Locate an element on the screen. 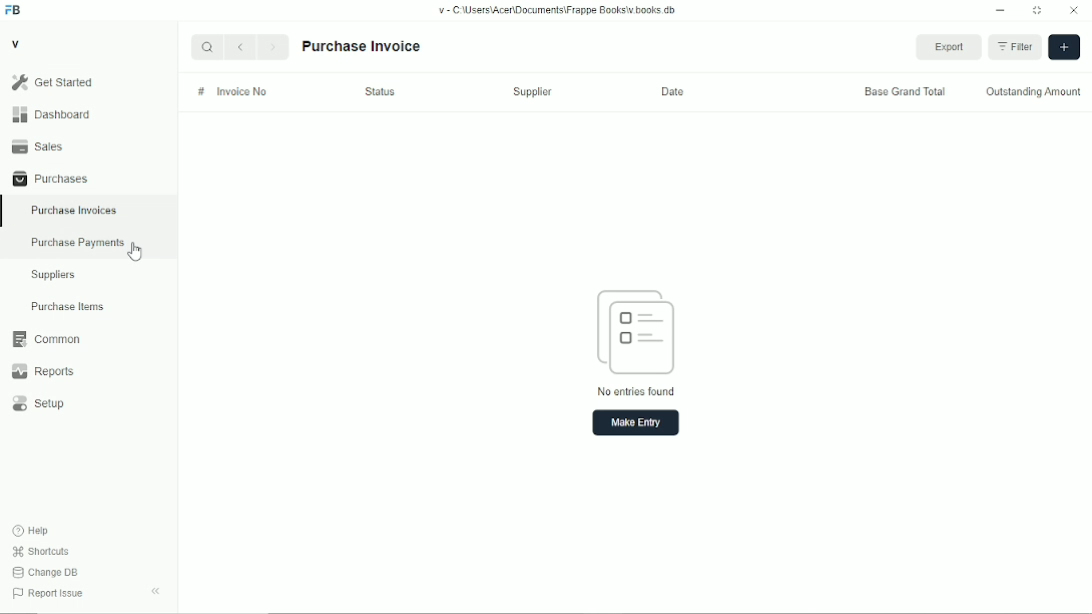  Make Entry is located at coordinates (636, 423).